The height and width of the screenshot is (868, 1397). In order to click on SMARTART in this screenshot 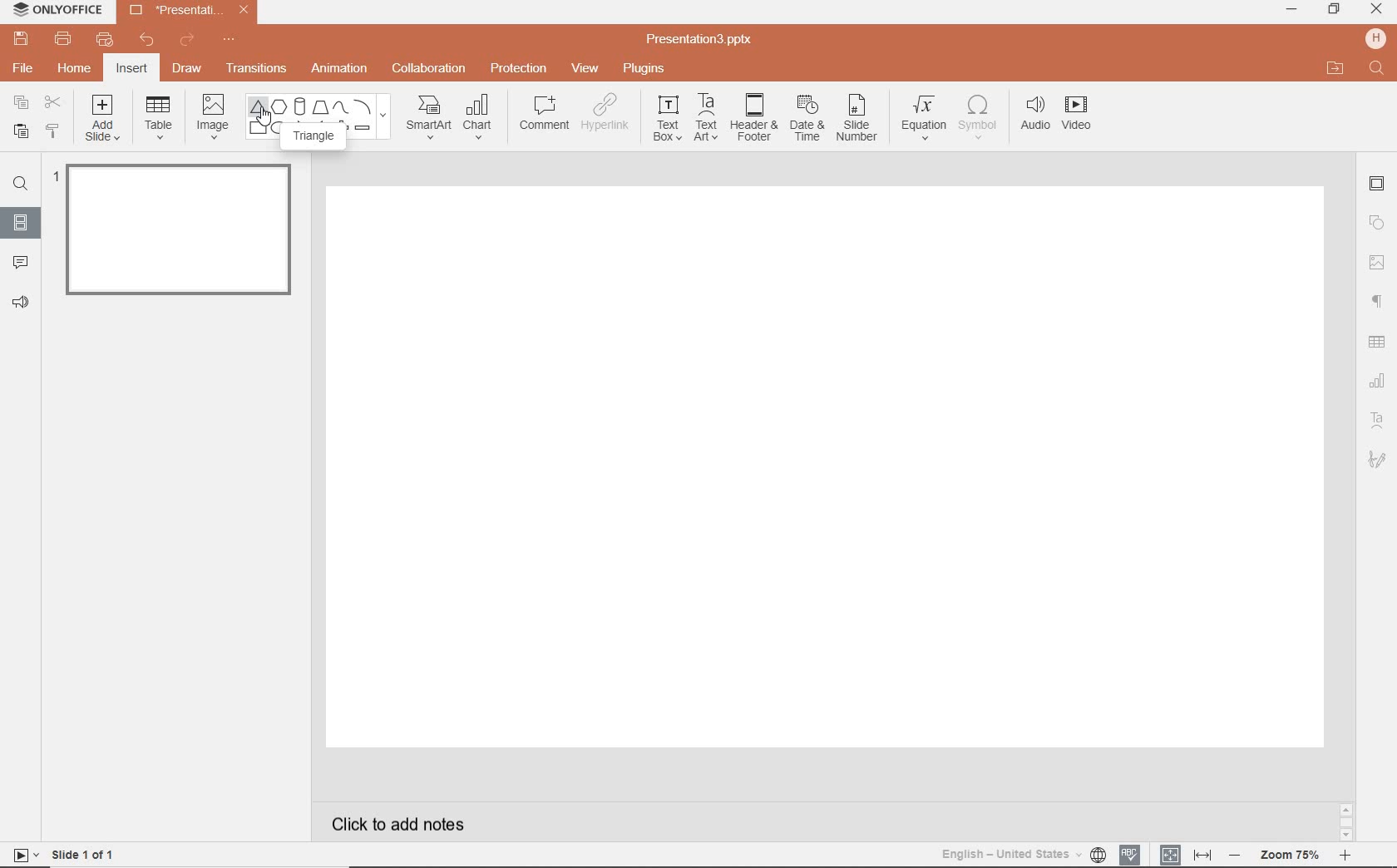, I will do `click(429, 123)`.